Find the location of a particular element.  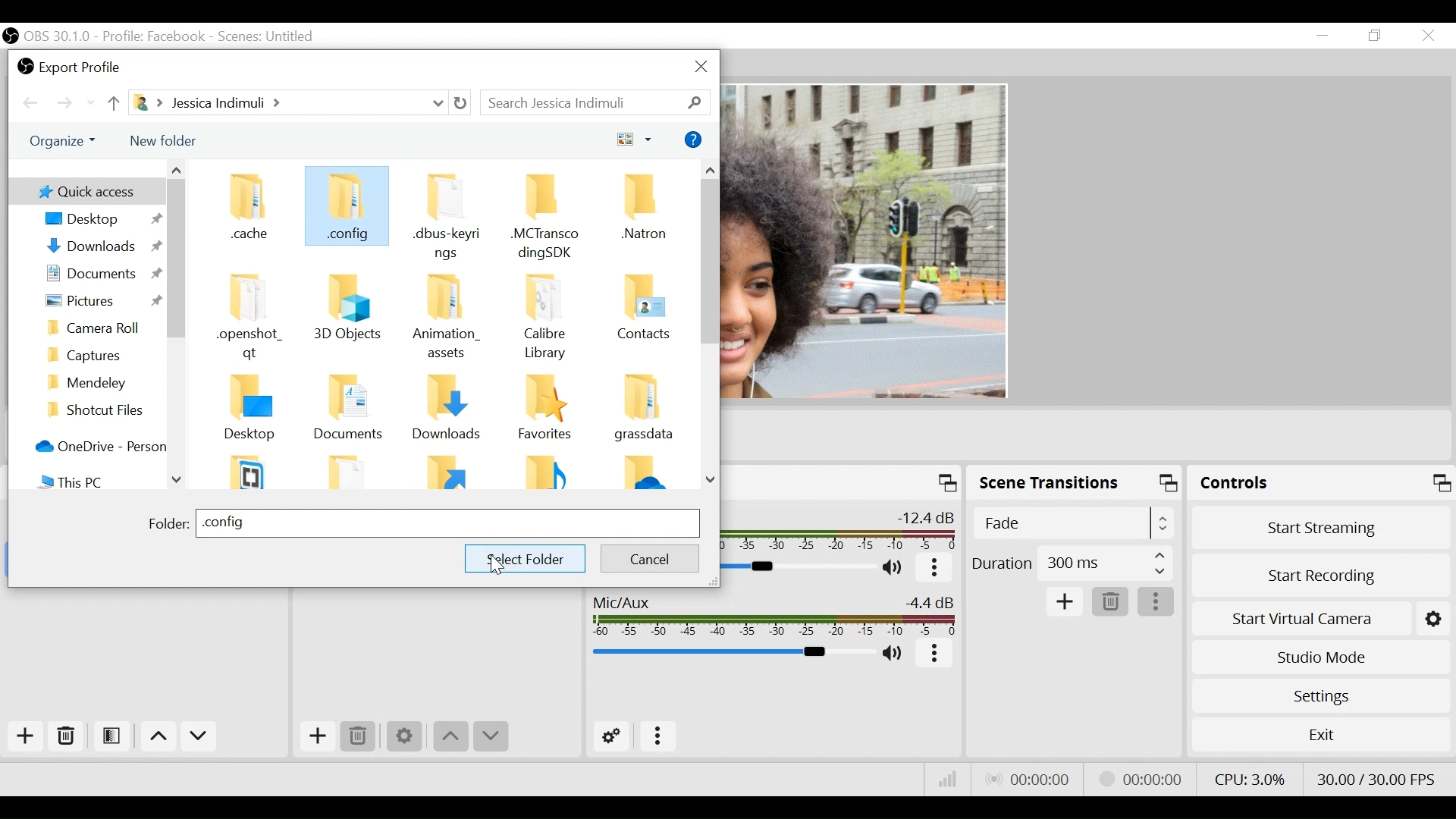

Folder is located at coordinates (643, 318).